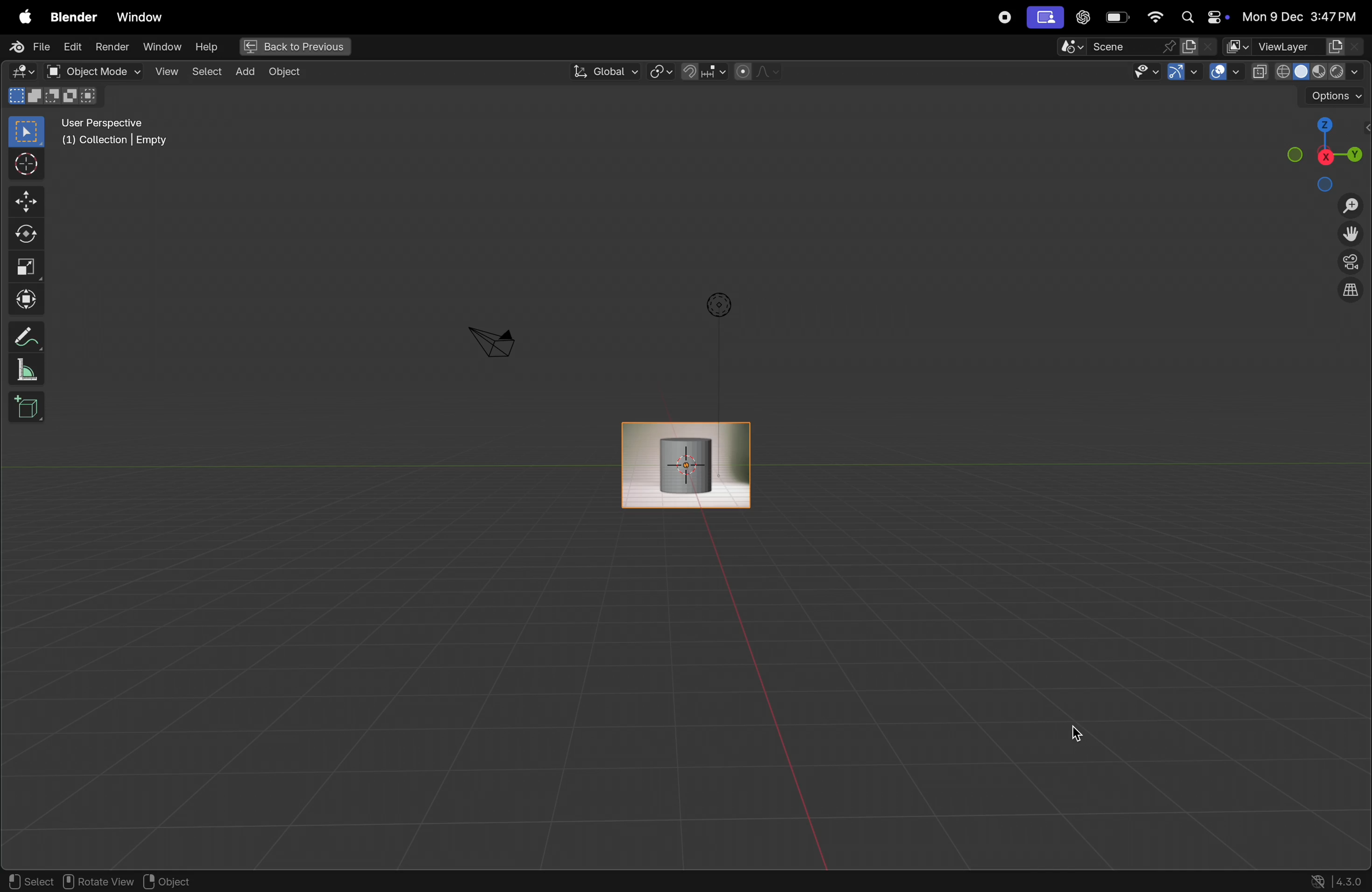 This screenshot has width=1372, height=892. What do you see at coordinates (206, 72) in the screenshot?
I see `select` at bounding box center [206, 72].